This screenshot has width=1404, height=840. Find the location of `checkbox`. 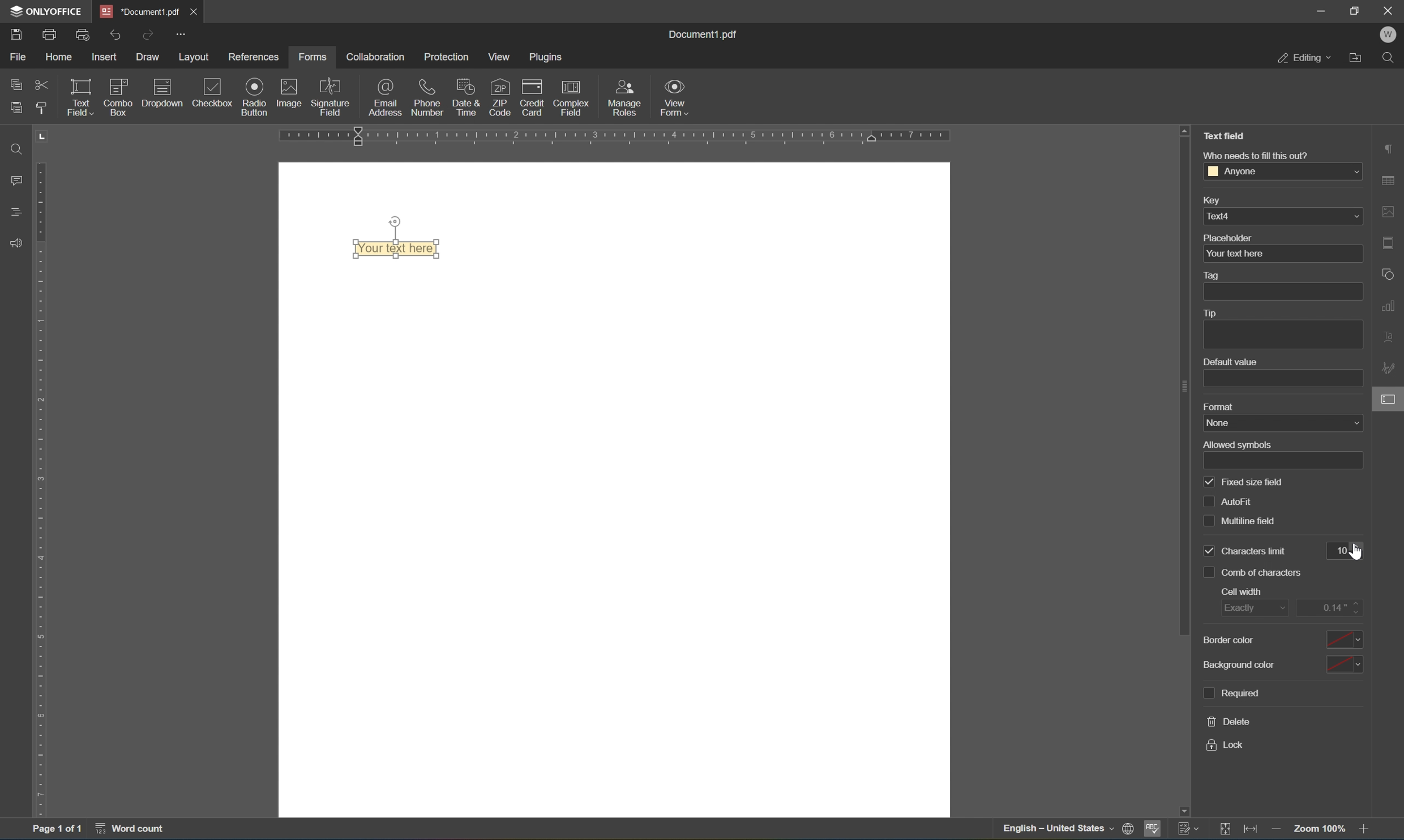

checkbox is located at coordinates (1209, 551).